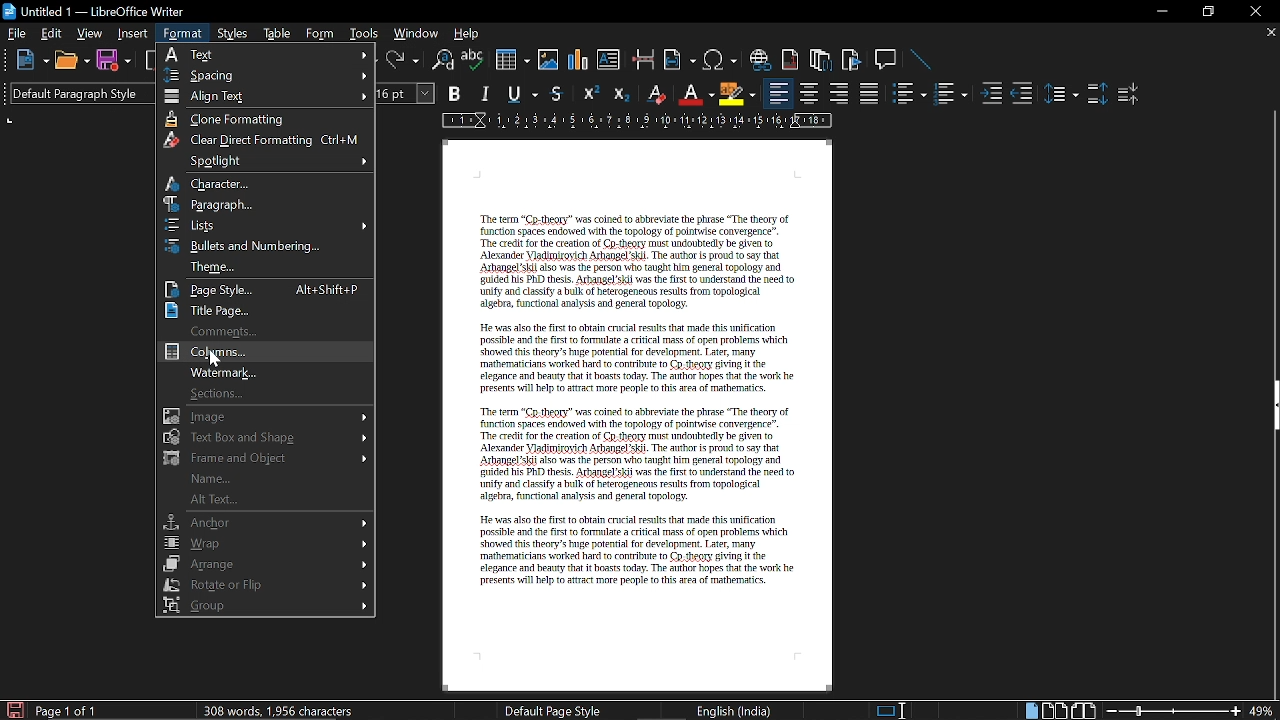 The image size is (1280, 720). What do you see at coordinates (468, 34) in the screenshot?
I see `Help` at bounding box center [468, 34].